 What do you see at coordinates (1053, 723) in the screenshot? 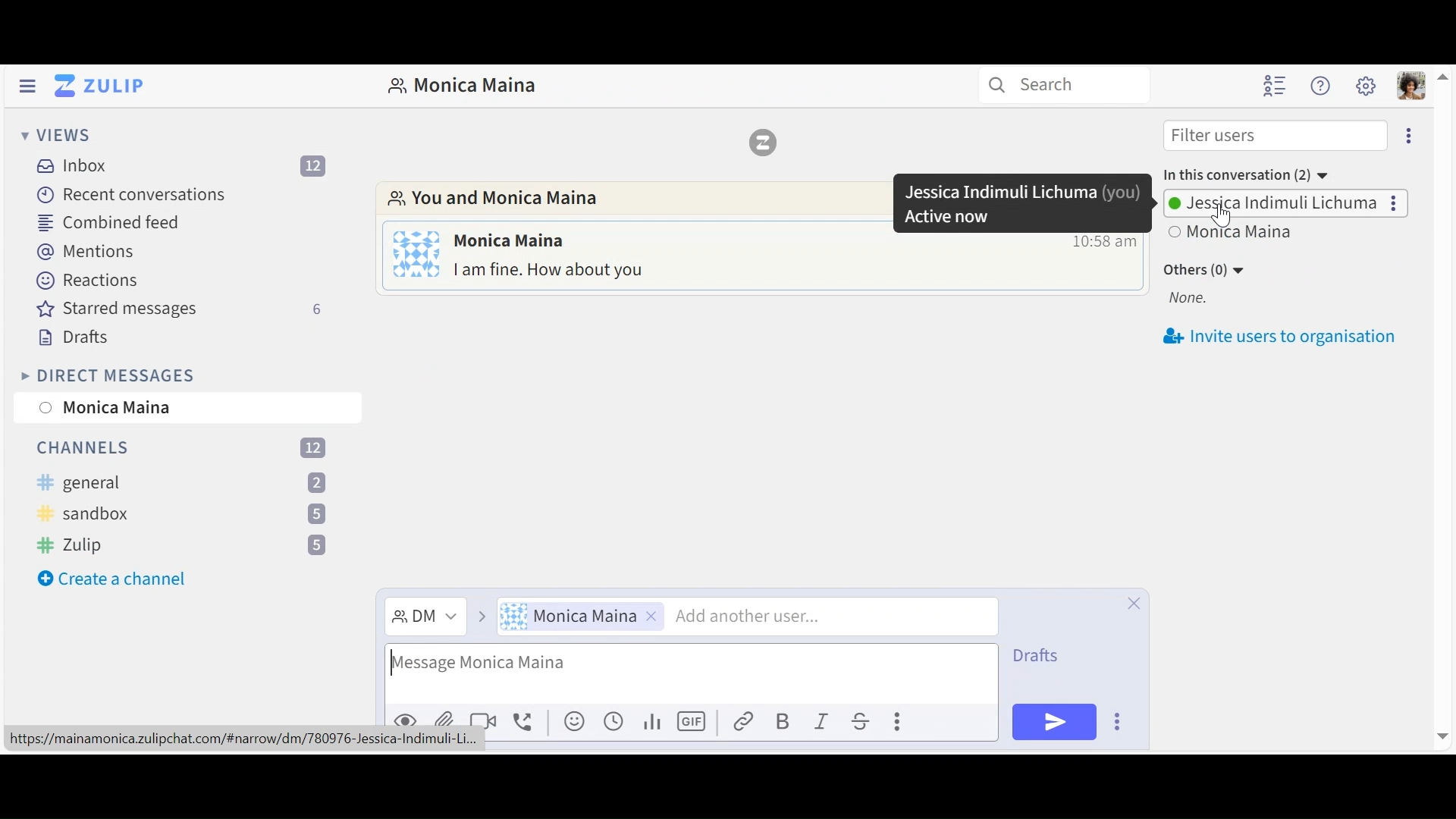
I see `Send` at bounding box center [1053, 723].